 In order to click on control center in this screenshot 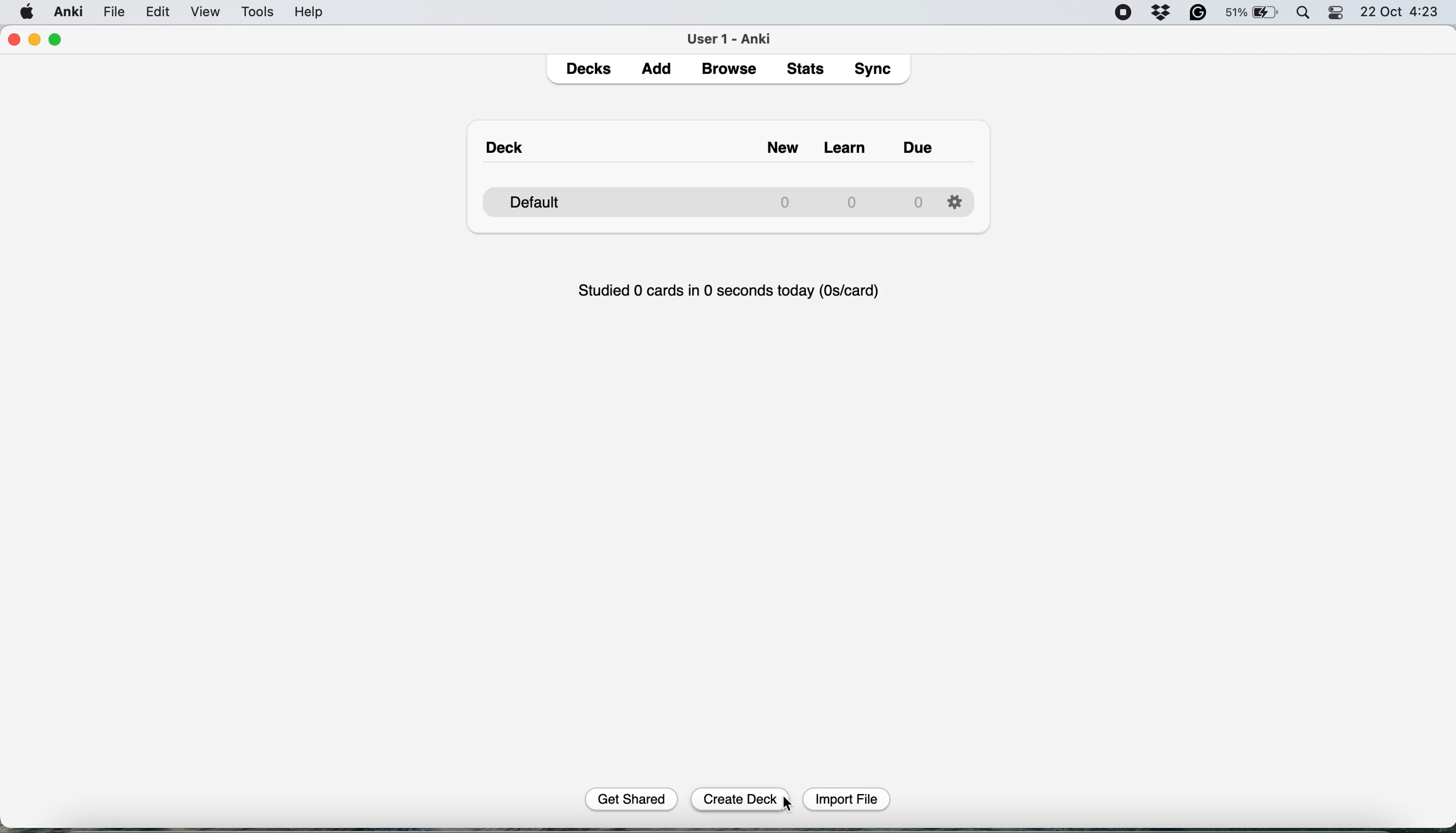, I will do `click(1339, 15)`.